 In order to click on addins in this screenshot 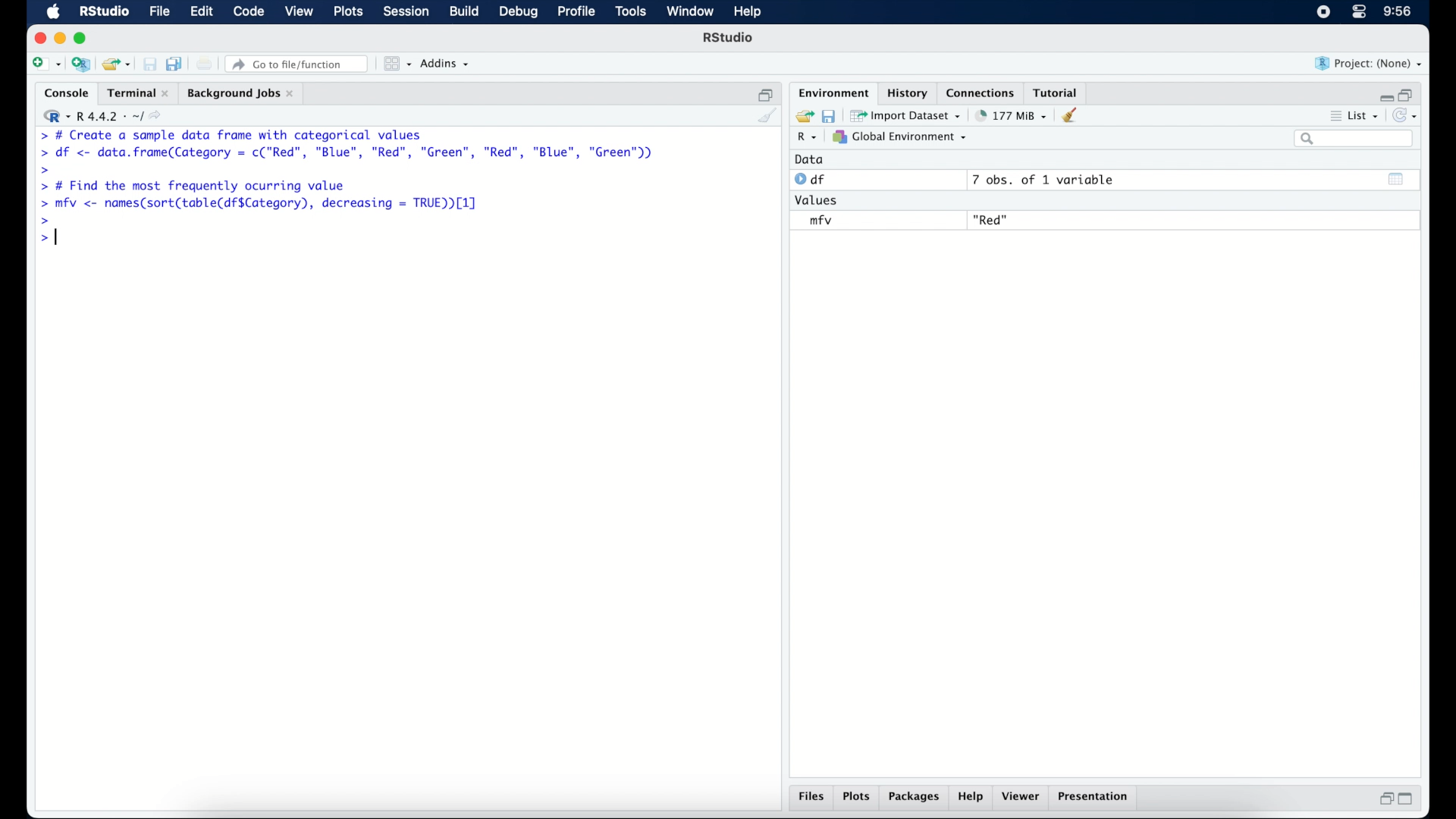, I will do `click(447, 64)`.